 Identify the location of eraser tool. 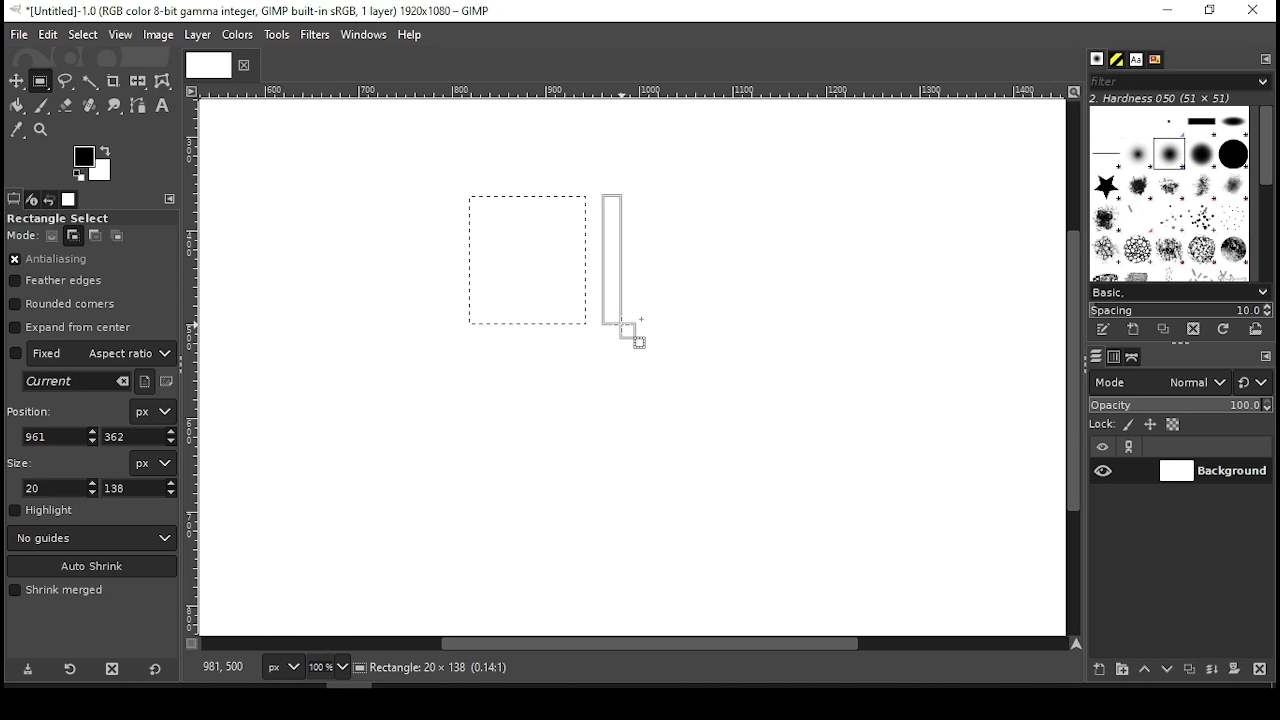
(65, 105).